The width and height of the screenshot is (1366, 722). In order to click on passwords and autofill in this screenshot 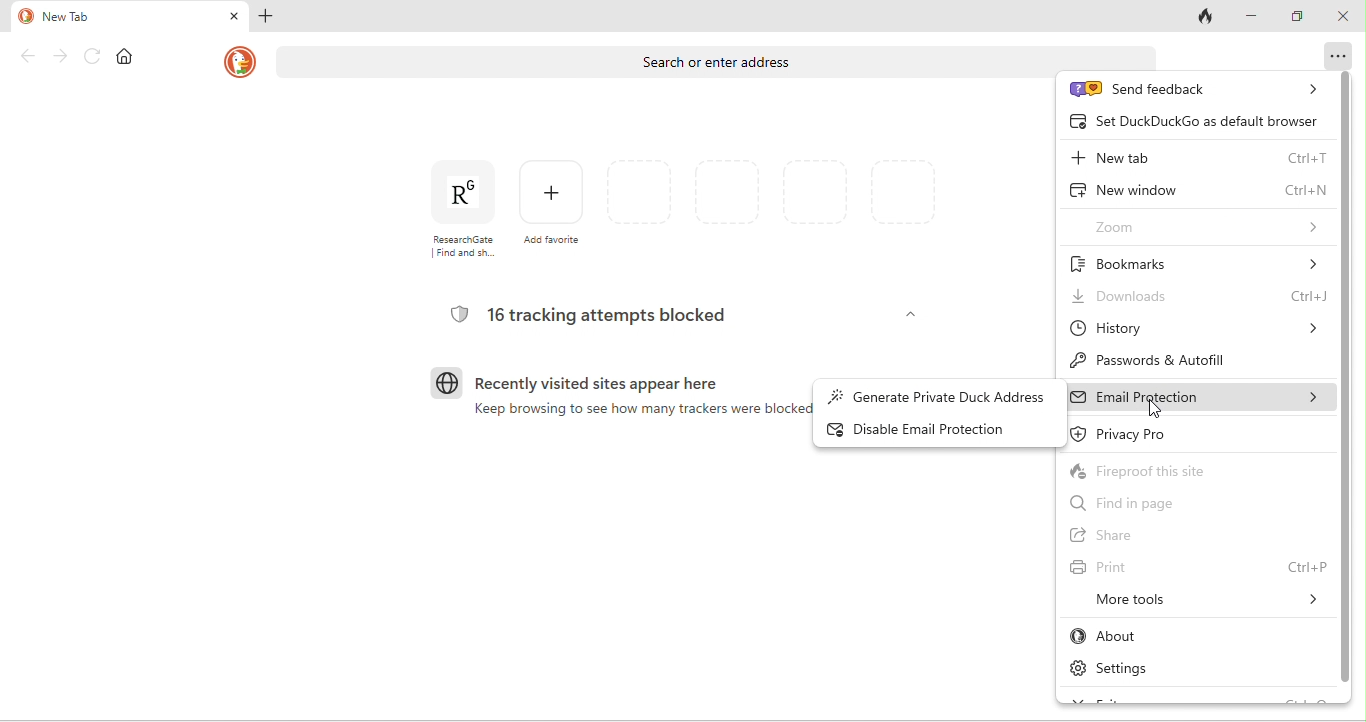, I will do `click(1182, 358)`.